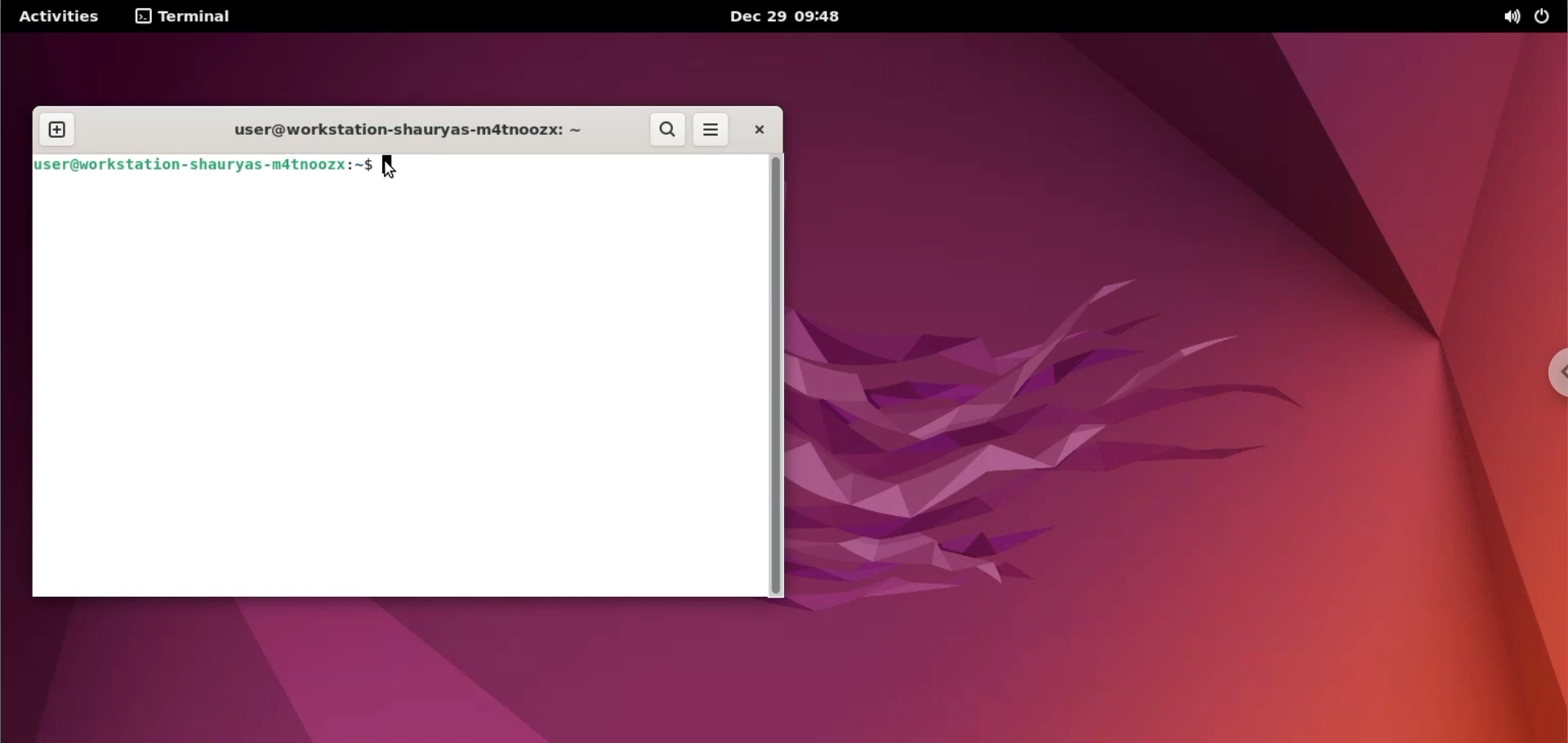  I want to click on terminal, so click(198, 18).